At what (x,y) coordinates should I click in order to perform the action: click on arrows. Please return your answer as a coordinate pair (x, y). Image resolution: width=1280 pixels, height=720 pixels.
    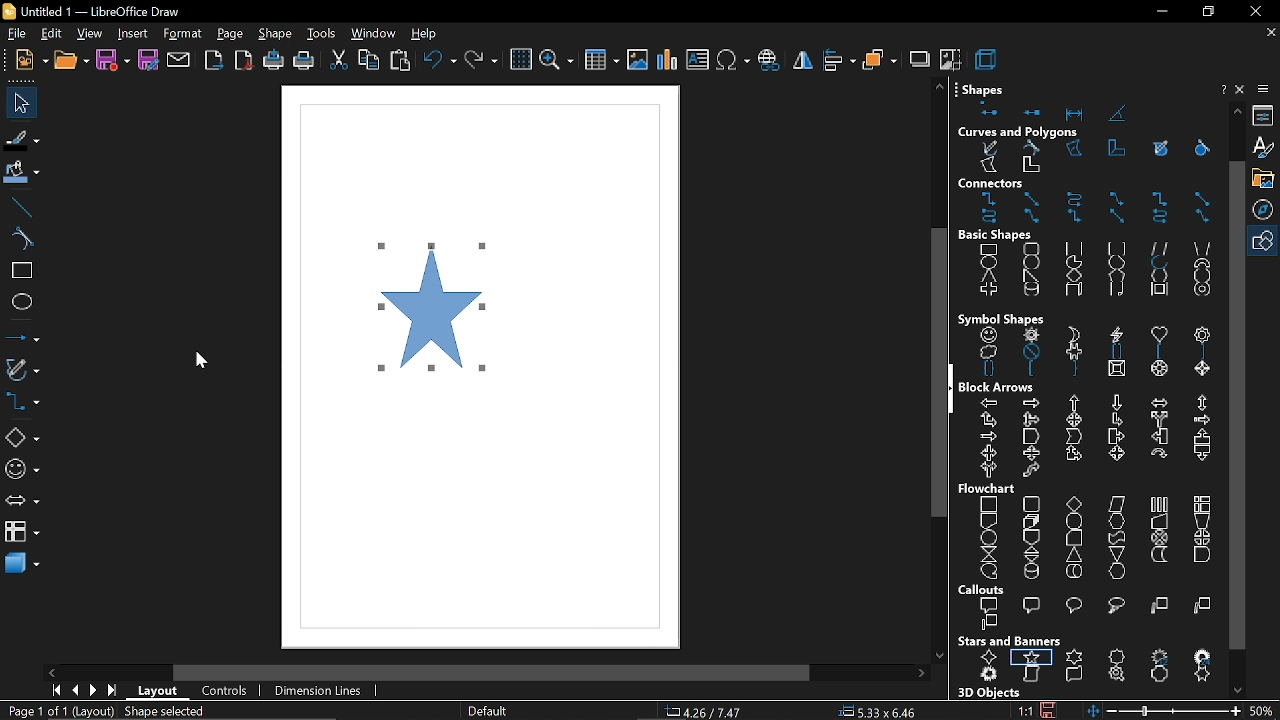
    Looking at the image, I should click on (22, 503).